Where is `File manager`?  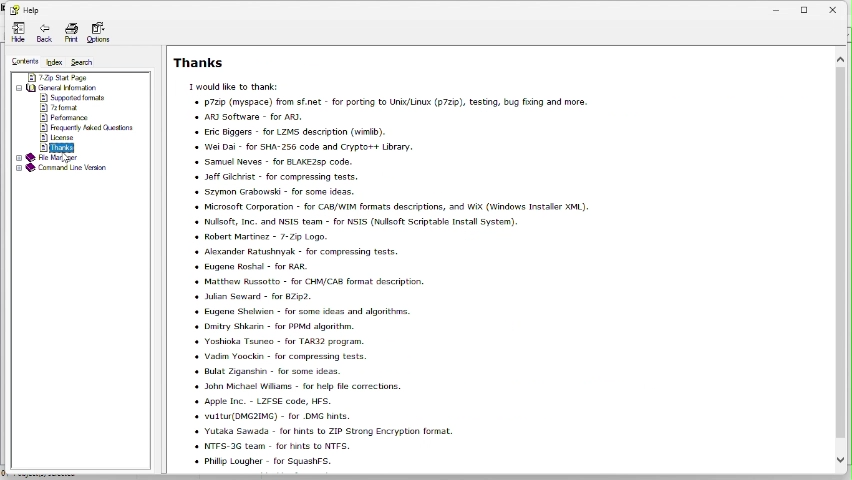 File manager is located at coordinates (50, 158).